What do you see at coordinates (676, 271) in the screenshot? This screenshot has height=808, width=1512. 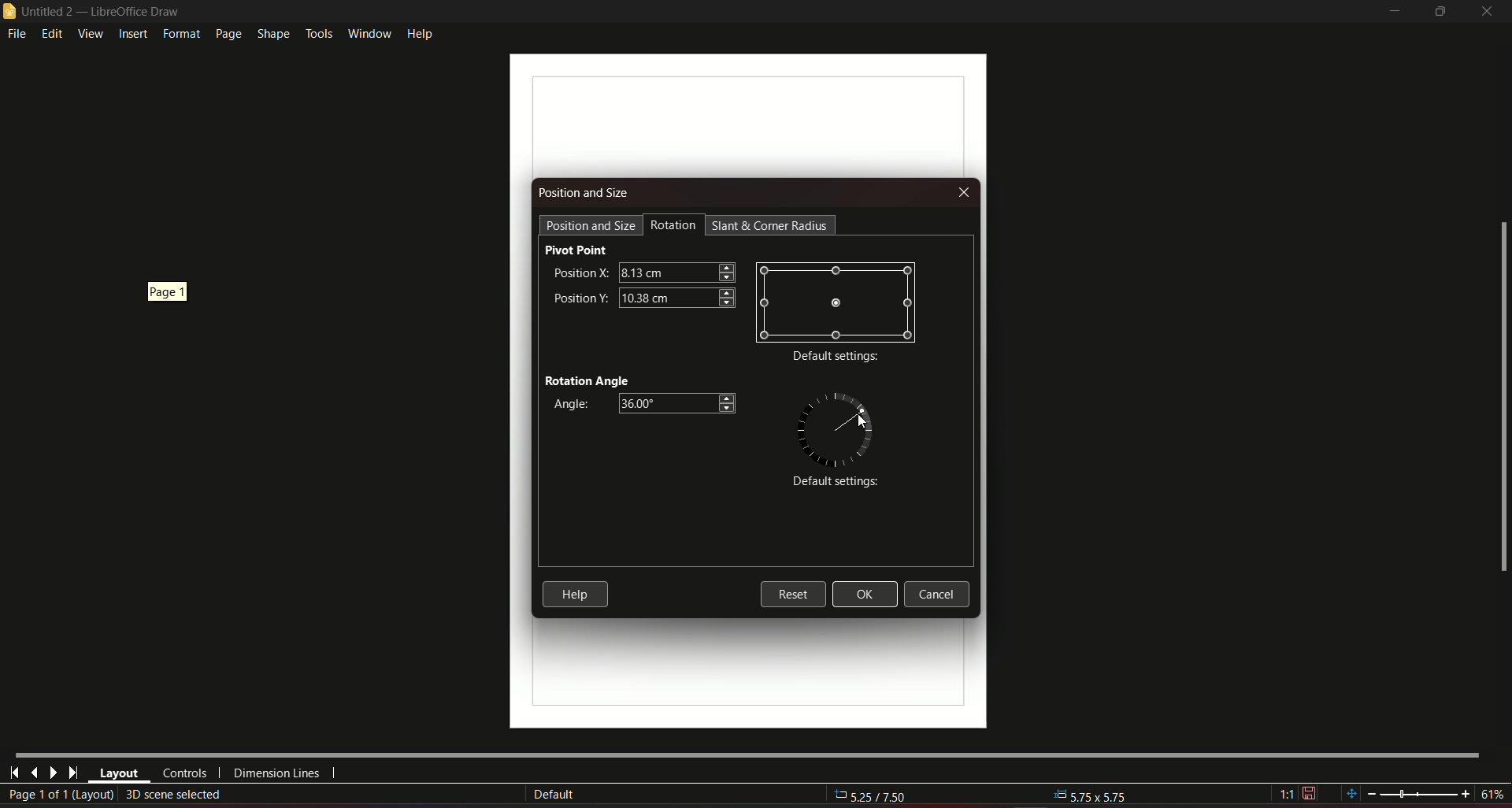 I see `textbox` at bounding box center [676, 271].